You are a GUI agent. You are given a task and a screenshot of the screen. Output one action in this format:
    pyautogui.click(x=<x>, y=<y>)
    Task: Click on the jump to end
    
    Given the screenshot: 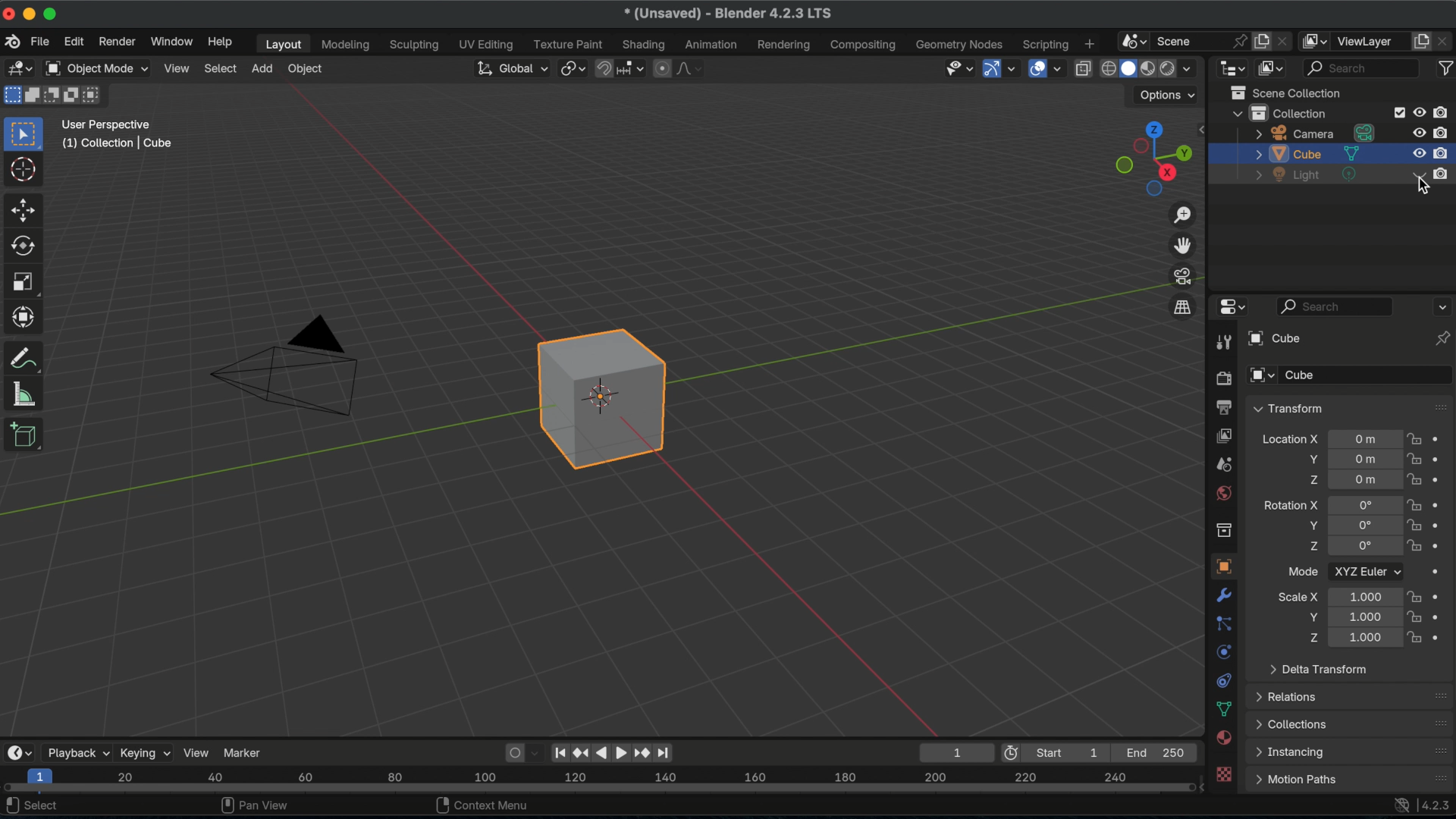 What is the action you would take?
    pyautogui.click(x=661, y=753)
    